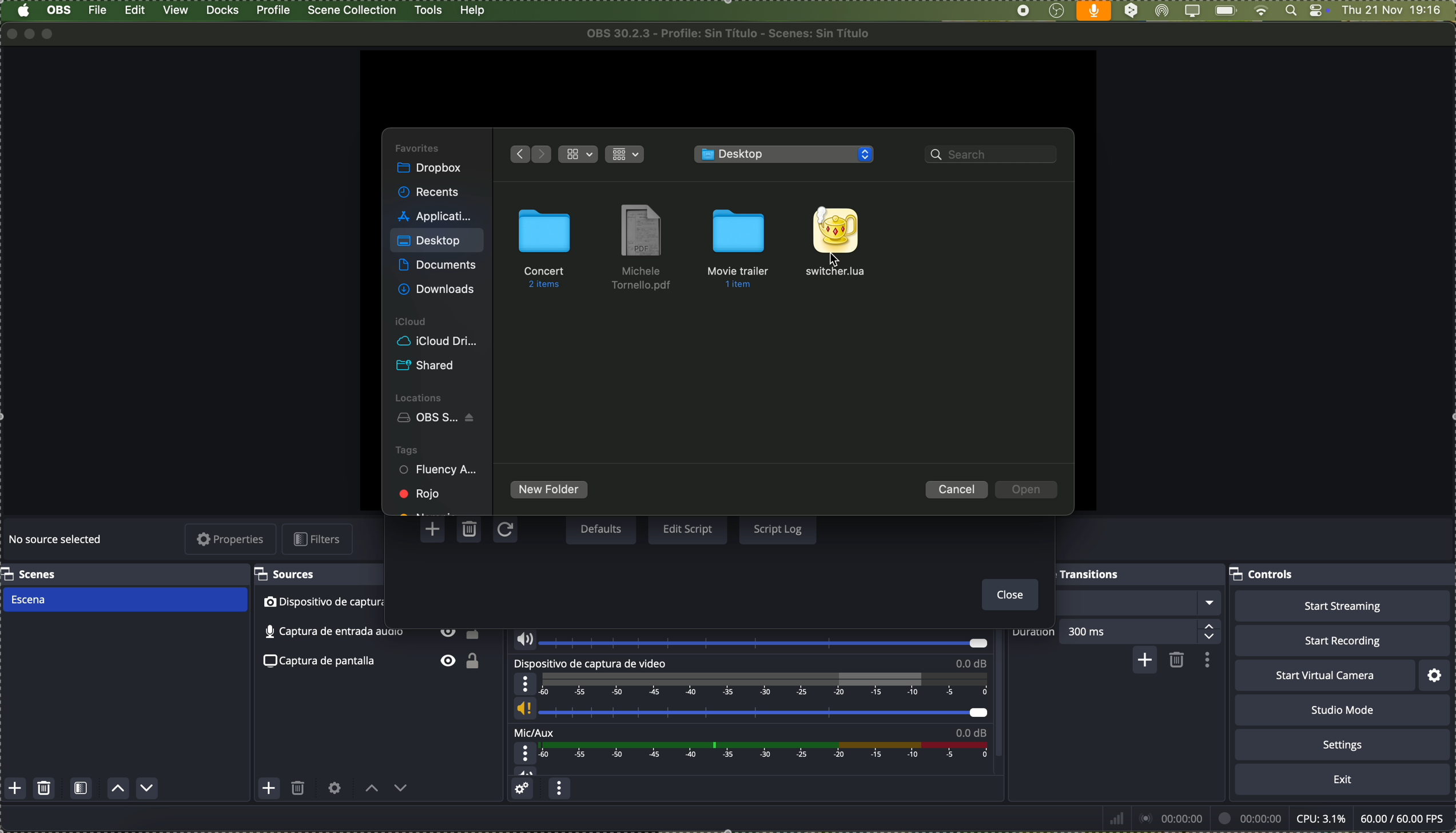 The width and height of the screenshot is (1456, 833). Describe the element at coordinates (421, 493) in the screenshot. I see `red tag` at that location.